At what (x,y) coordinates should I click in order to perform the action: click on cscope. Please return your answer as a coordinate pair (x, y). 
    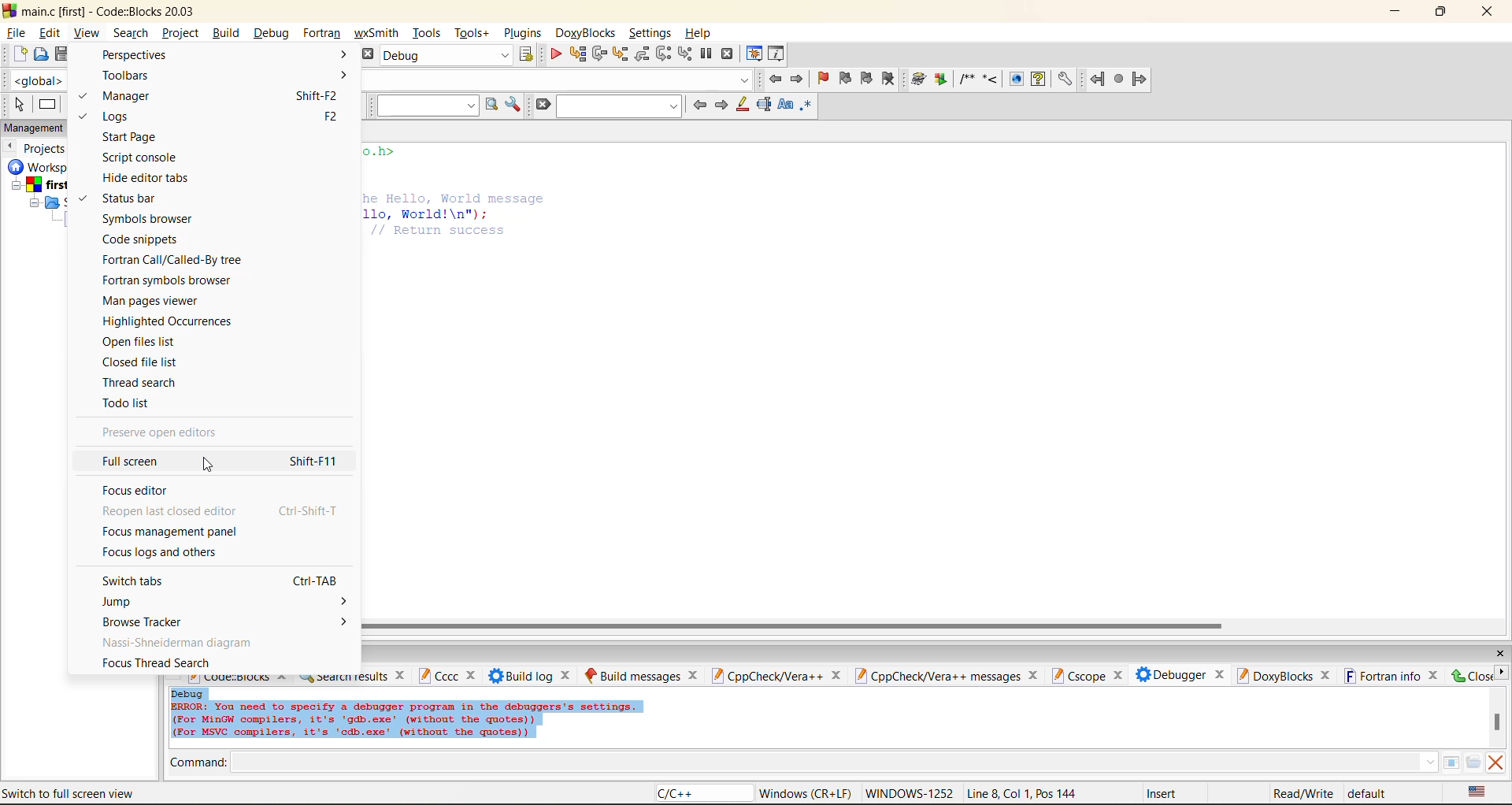
    Looking at the image, I should click on (1086, 673).